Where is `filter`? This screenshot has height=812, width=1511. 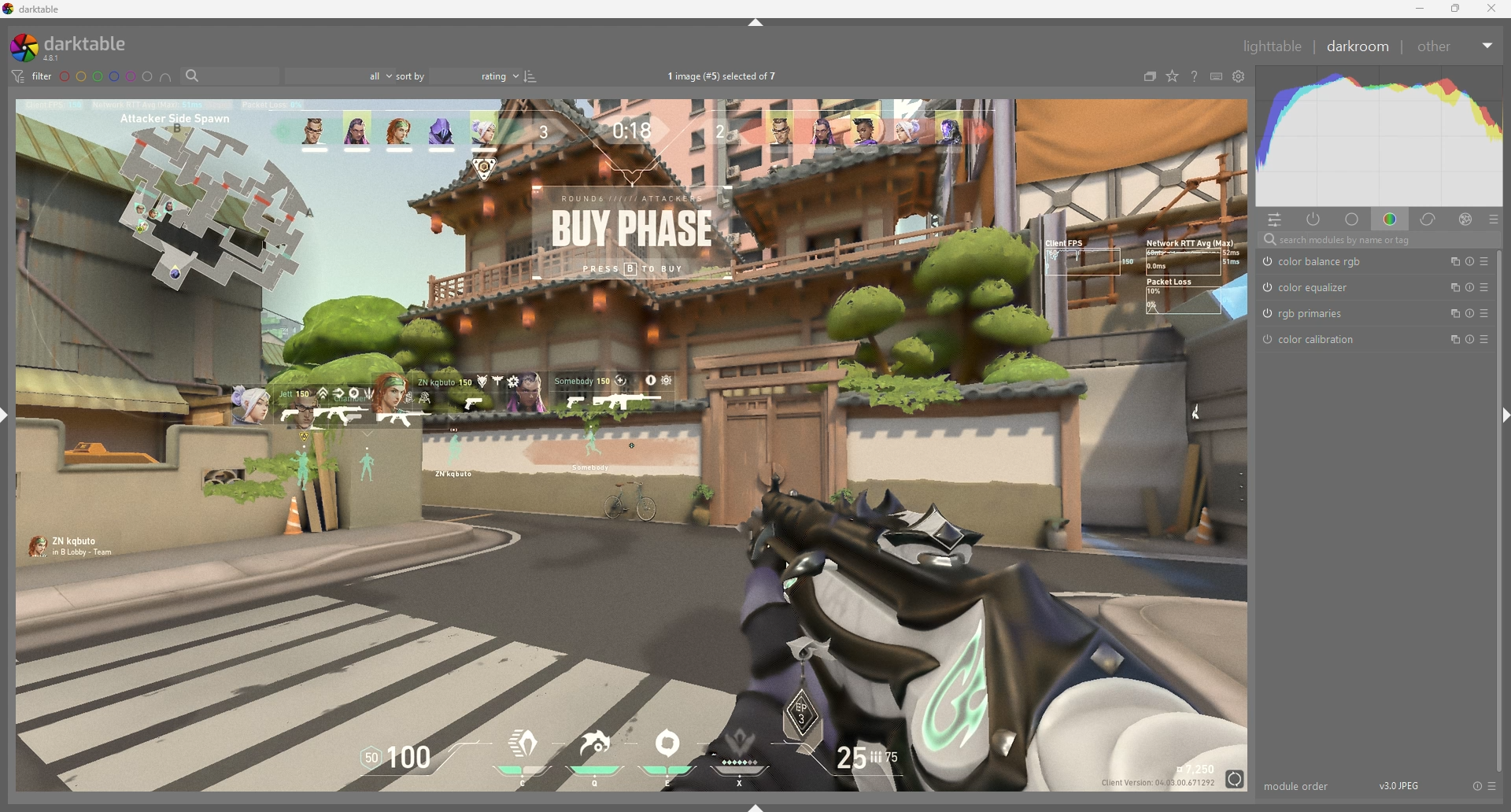 filter is located at coordinates (33, 76).